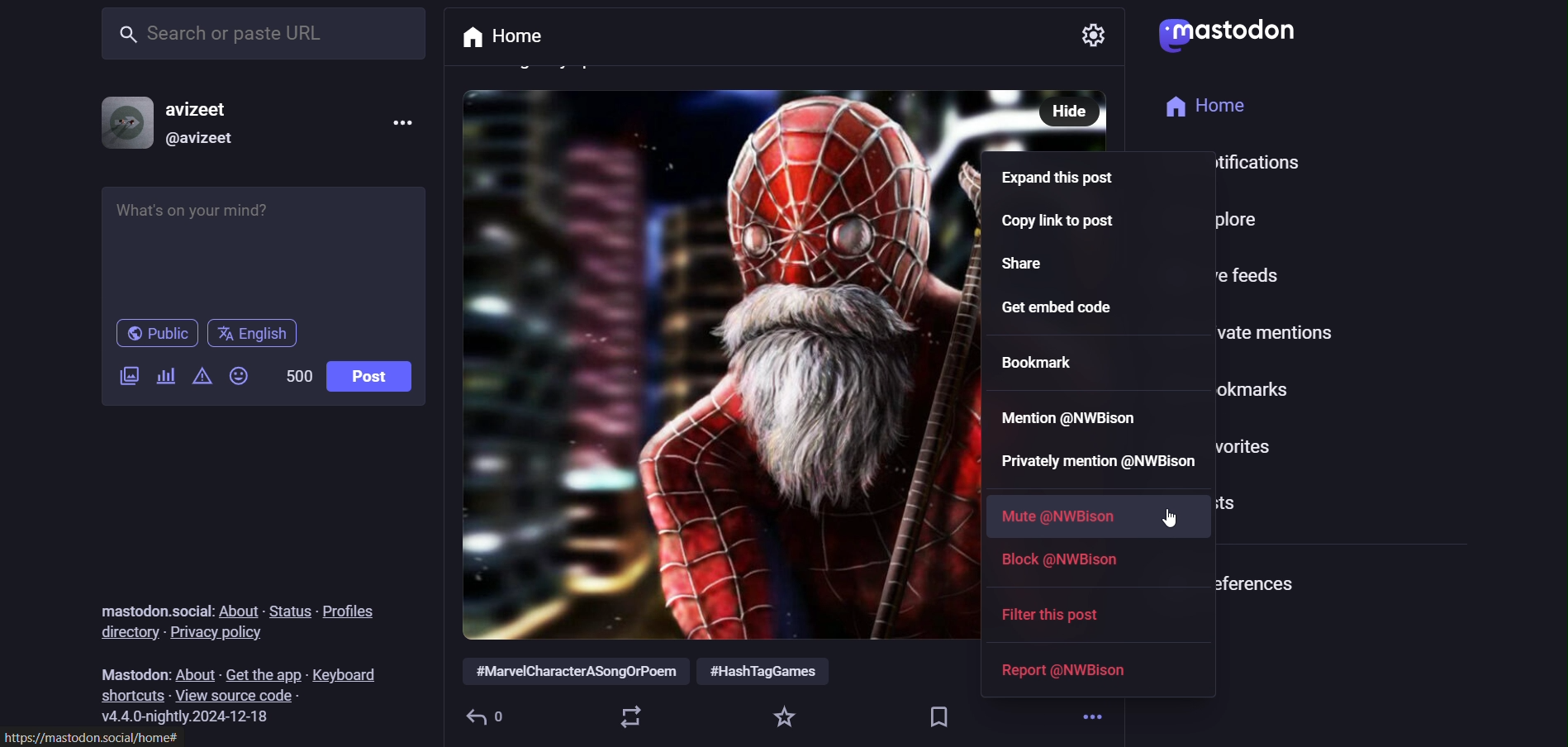 This screenshot has width=1568, height=747. Describe the element at coordinates (165, 377) in the screenshot. I see `content warning ` at that location.